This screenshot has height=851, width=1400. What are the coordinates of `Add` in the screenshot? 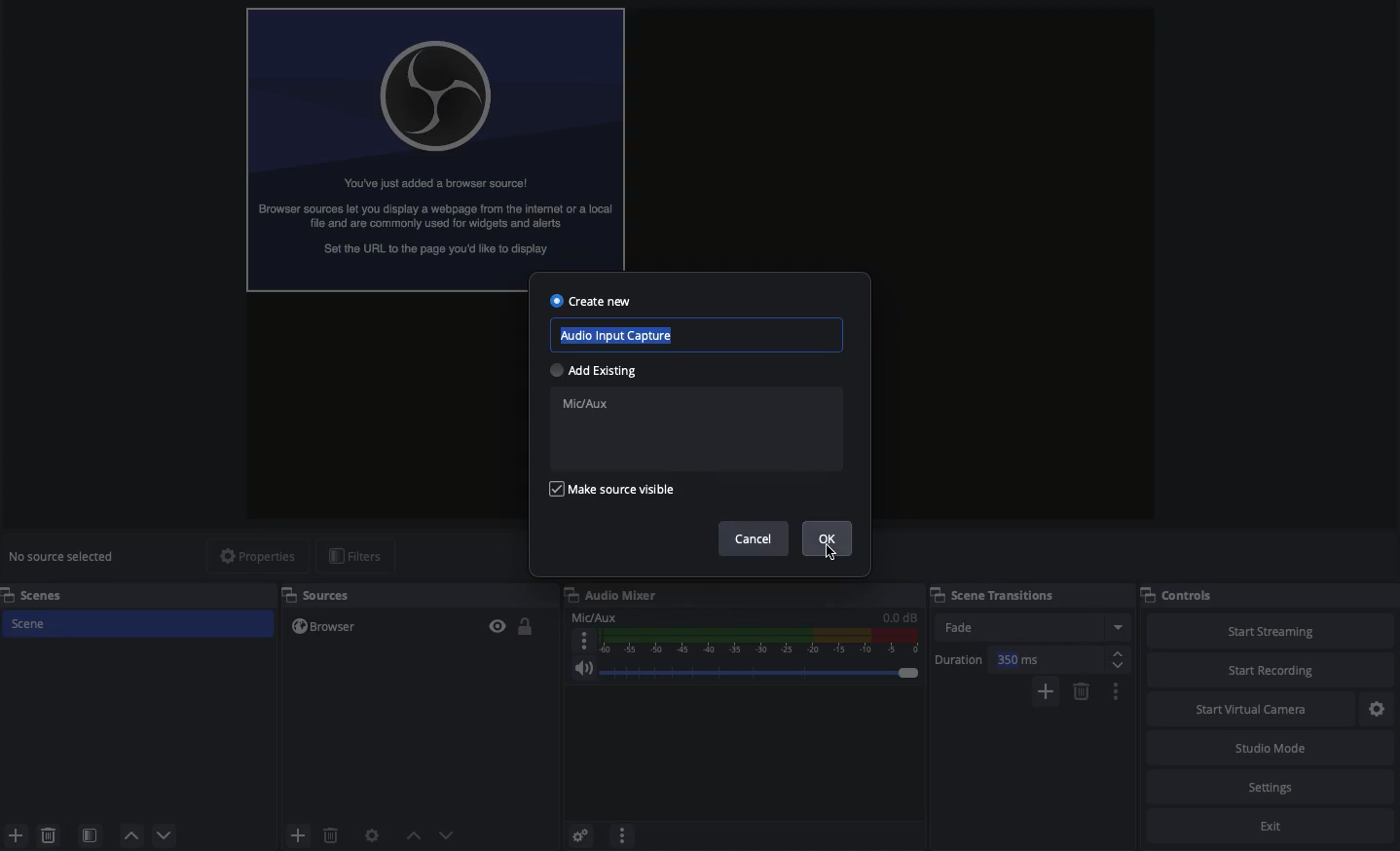 It's located at (1045, 692).